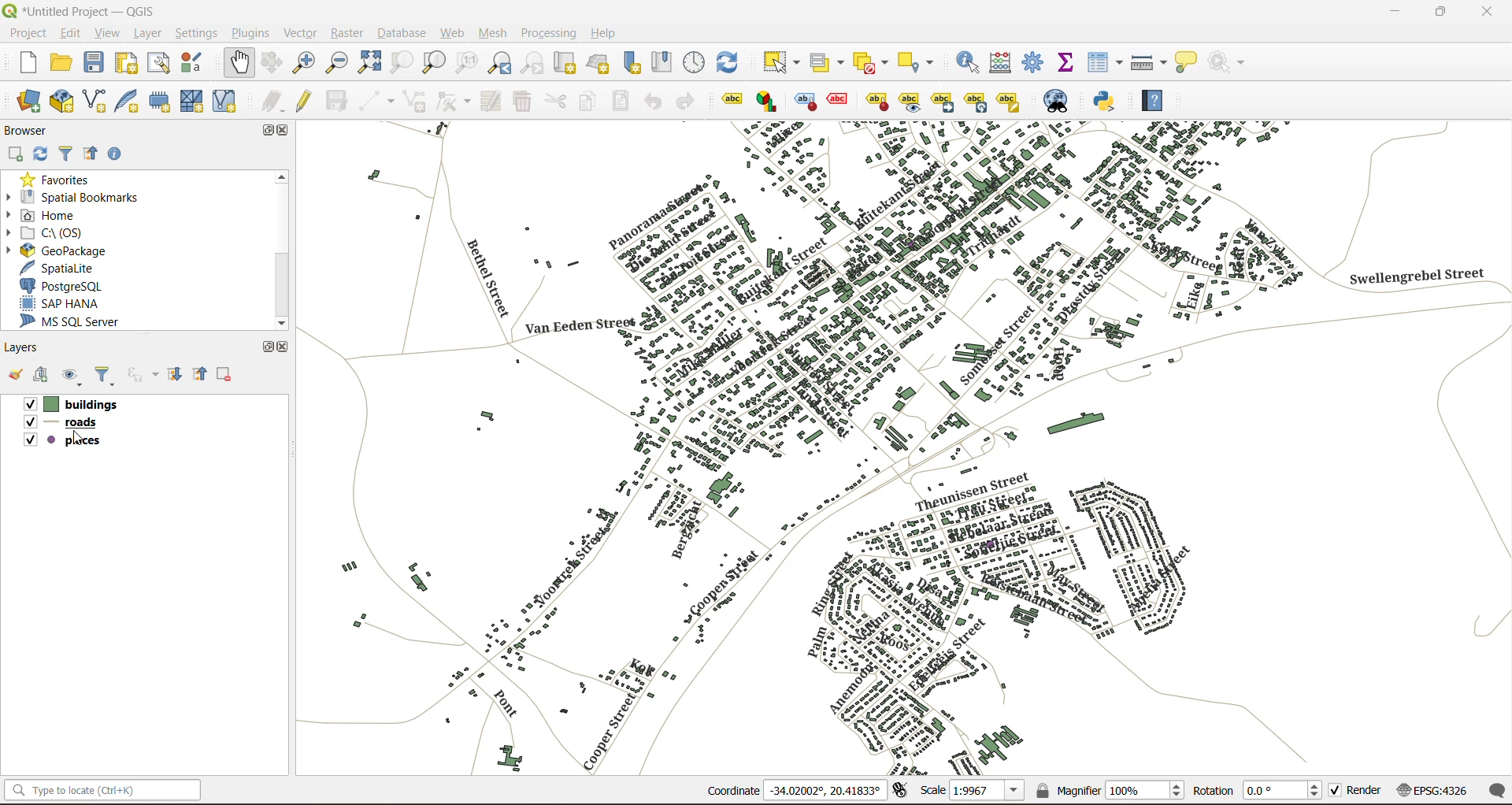  Describe the element at coordinates (369, 64) in the screenshot. I see `zoom full` at that location.